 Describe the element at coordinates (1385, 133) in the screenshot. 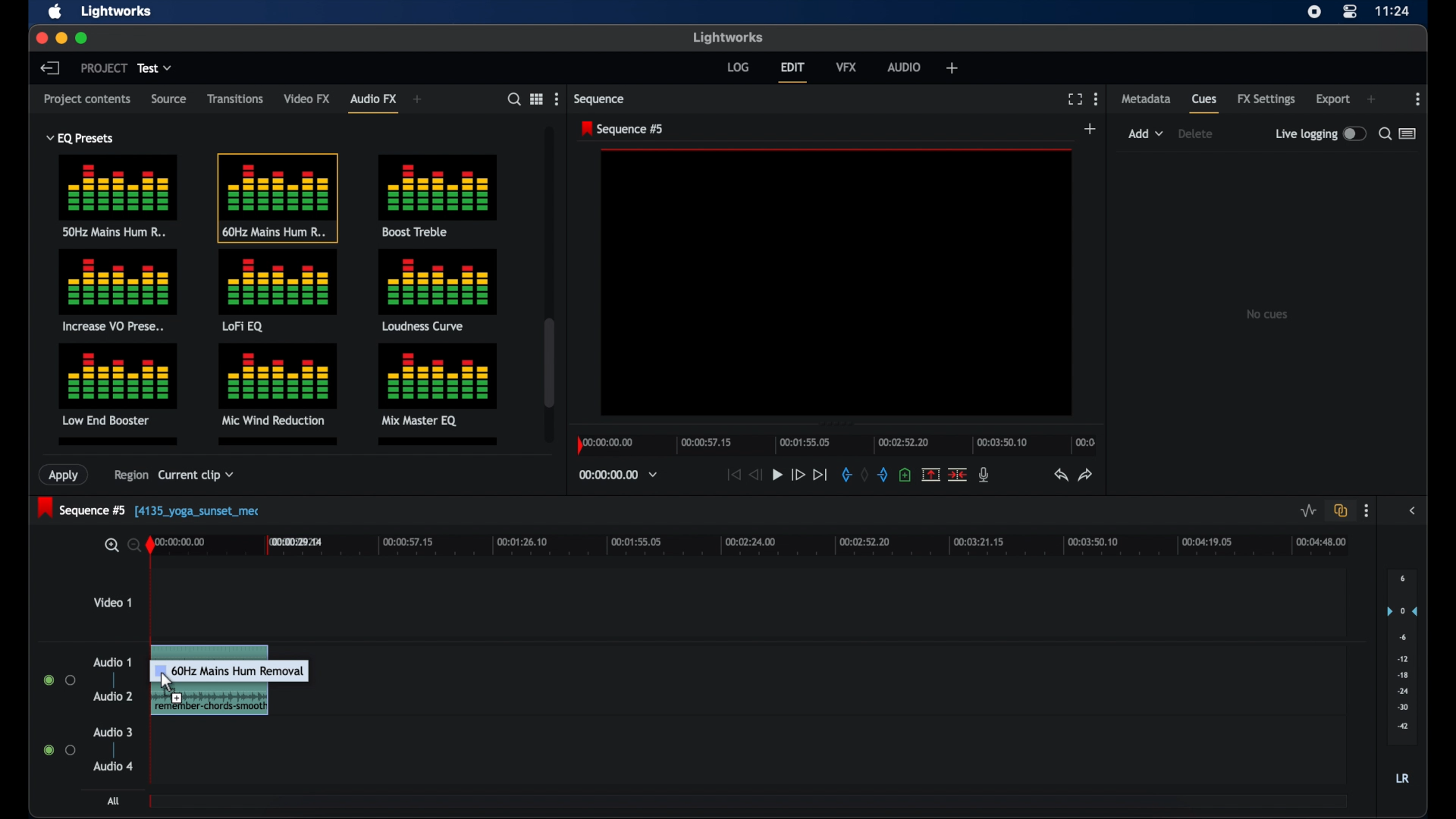

I see `search` at that location.